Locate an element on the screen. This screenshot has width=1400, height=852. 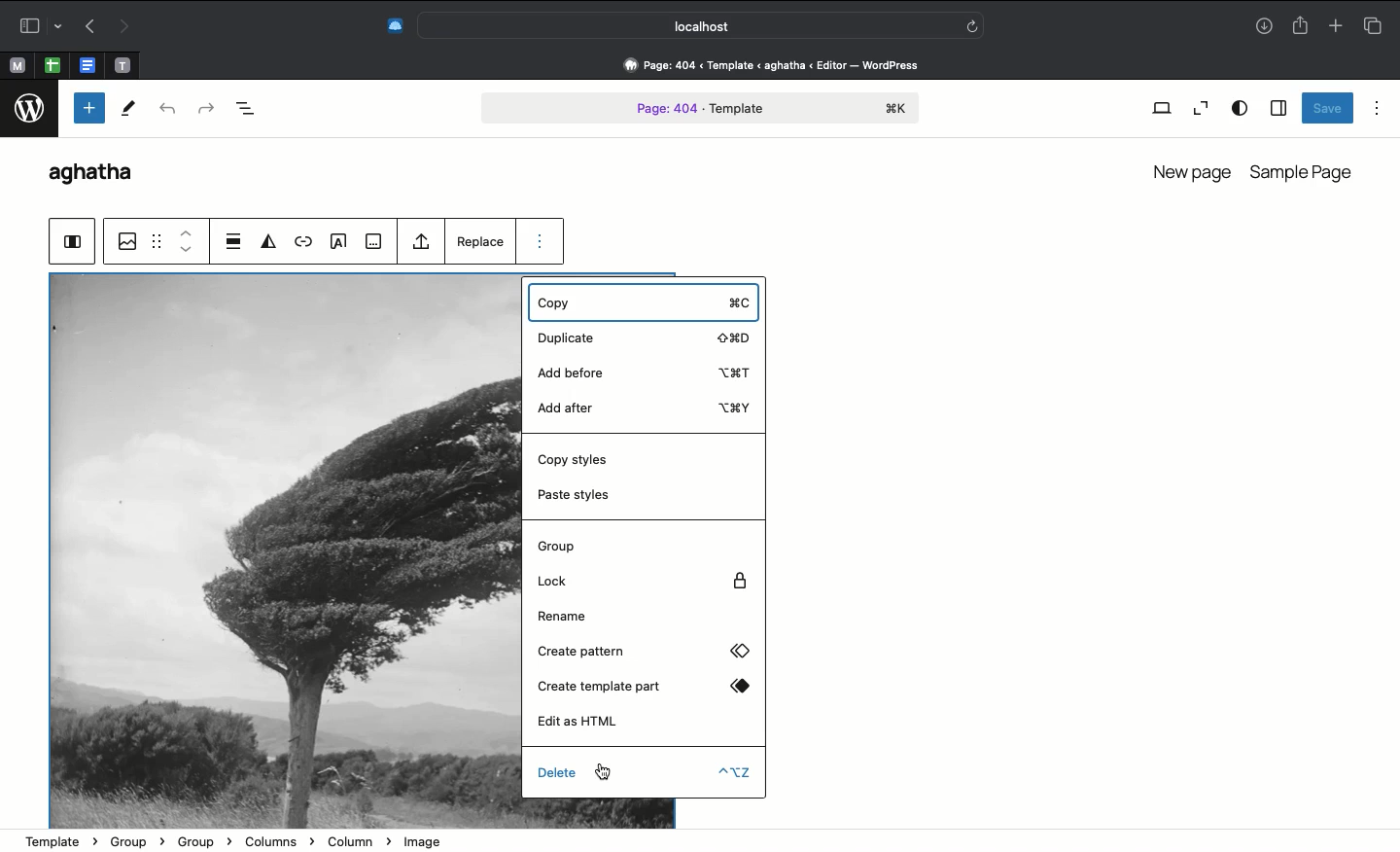
logo is located at coordinates (28, 110).